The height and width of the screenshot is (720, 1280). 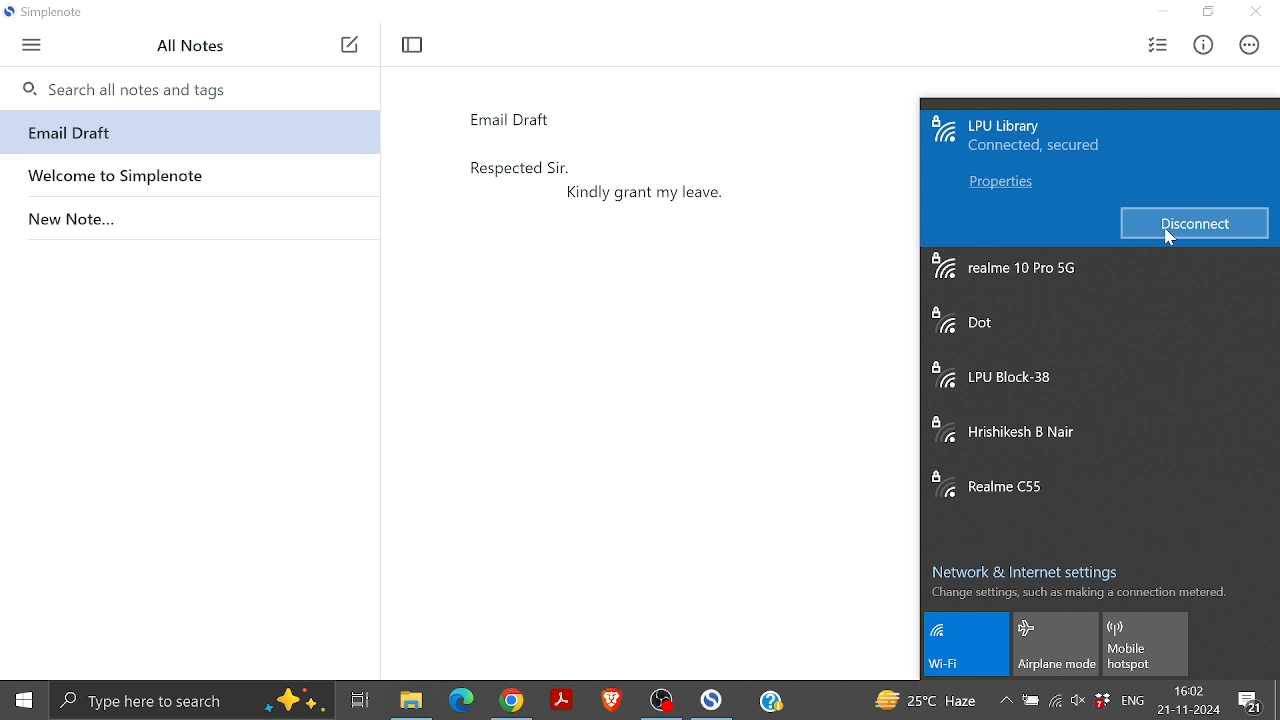 I want to click on WIFI, so click(x=970, y=645).